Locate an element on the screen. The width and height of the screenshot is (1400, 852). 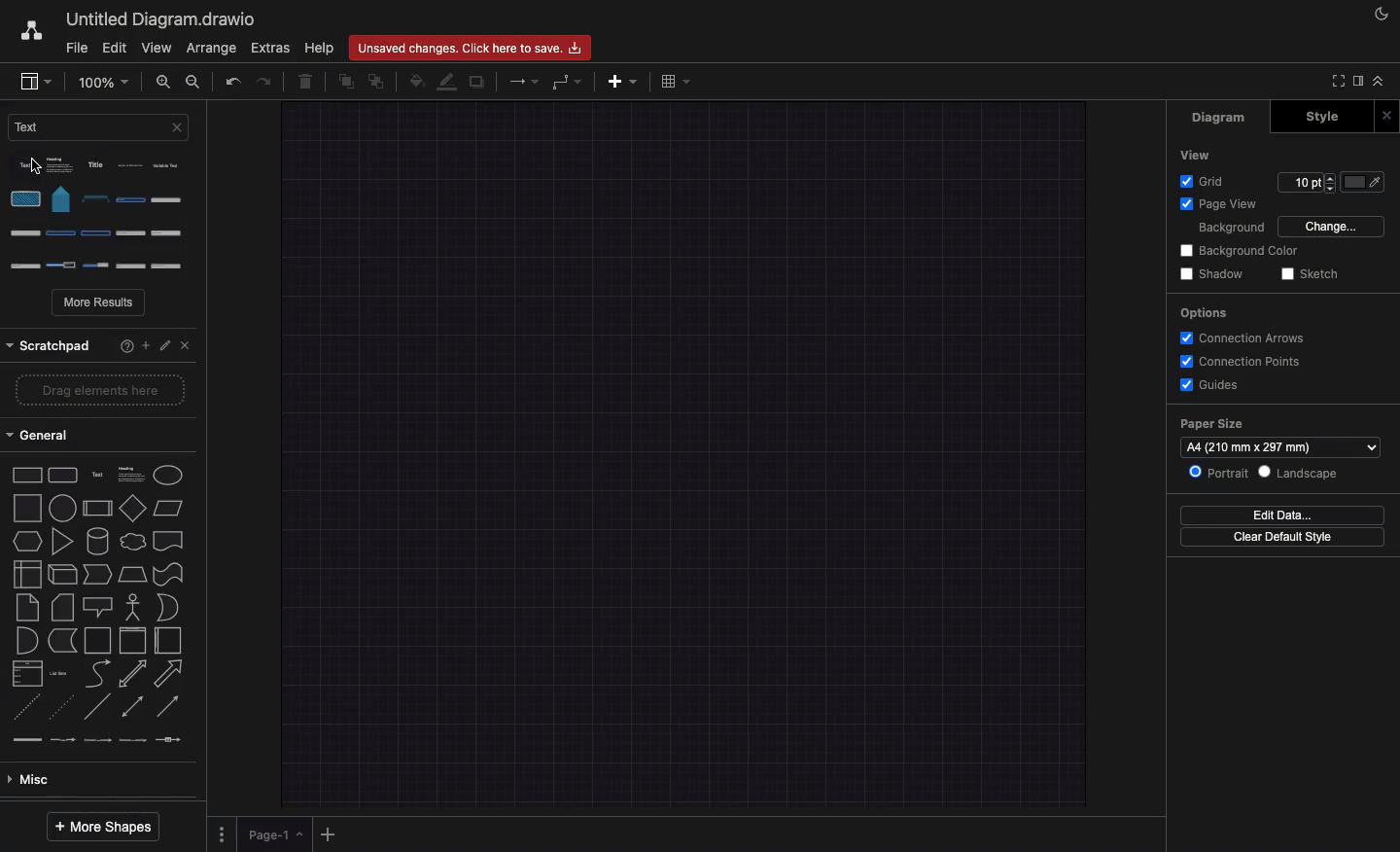
Close is located at coordinates (183, 343).